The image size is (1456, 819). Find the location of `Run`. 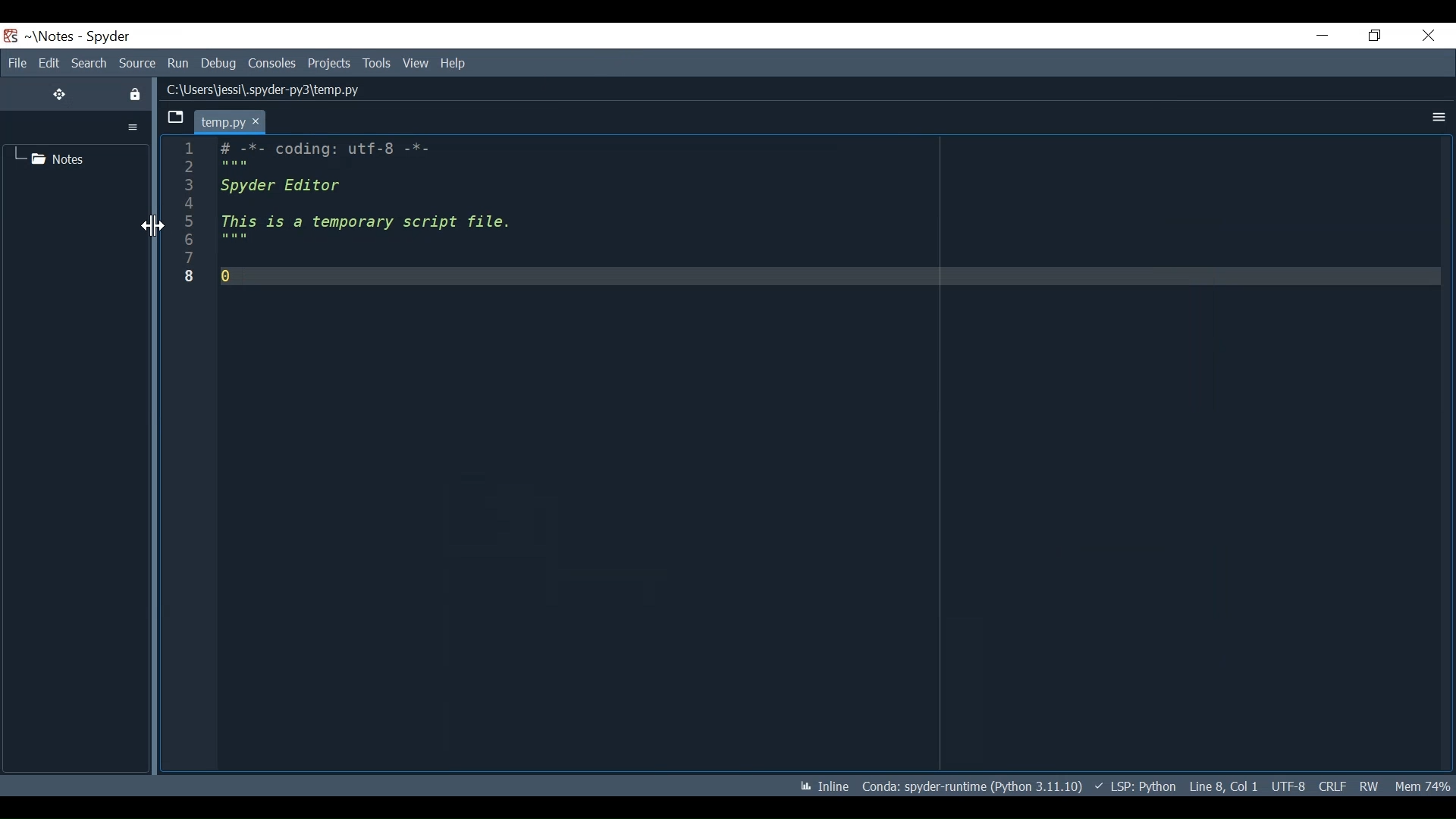

Run is located at coordinates (177, 63).